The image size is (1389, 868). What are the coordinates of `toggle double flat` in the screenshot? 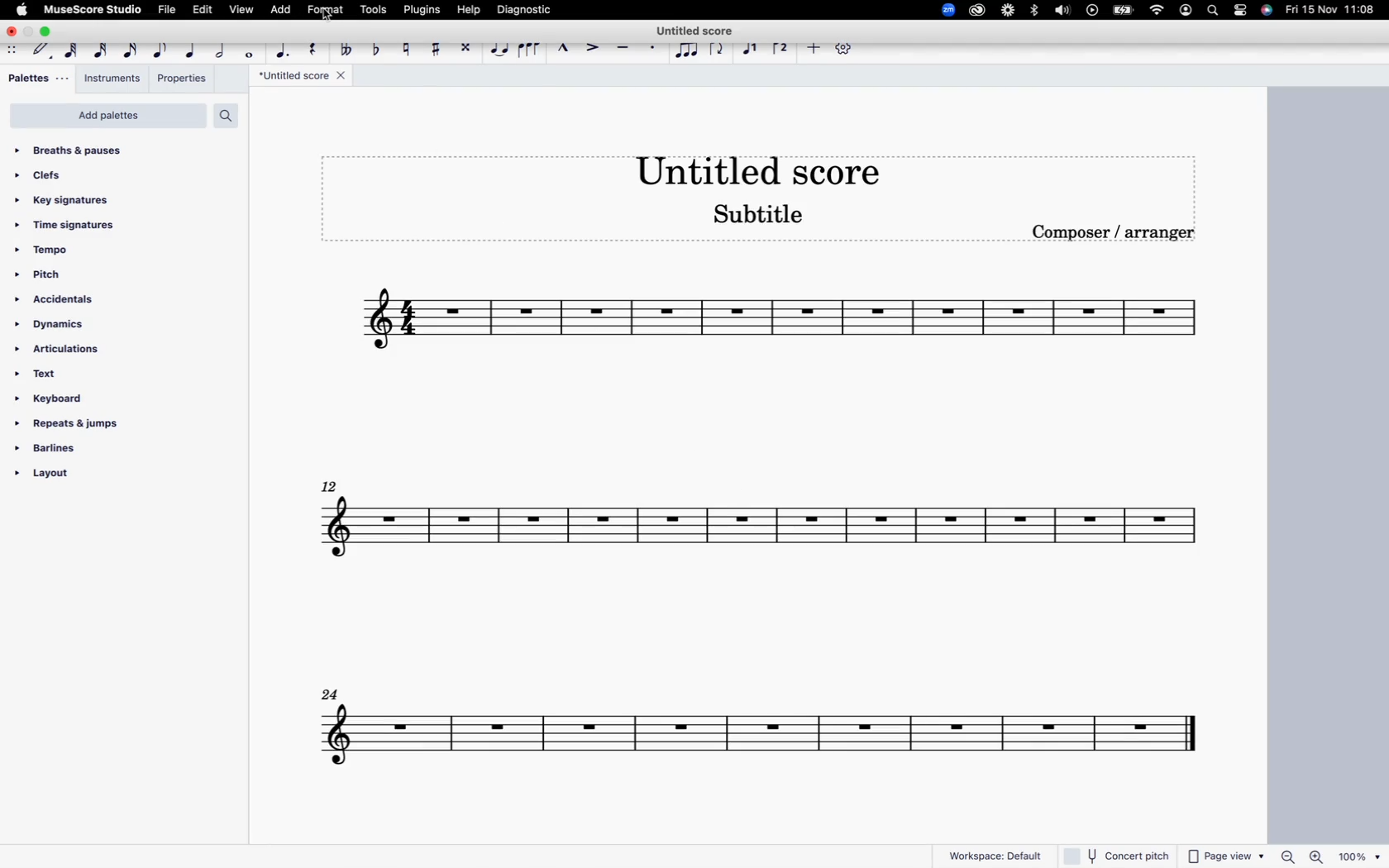 It's located at (348, 50).